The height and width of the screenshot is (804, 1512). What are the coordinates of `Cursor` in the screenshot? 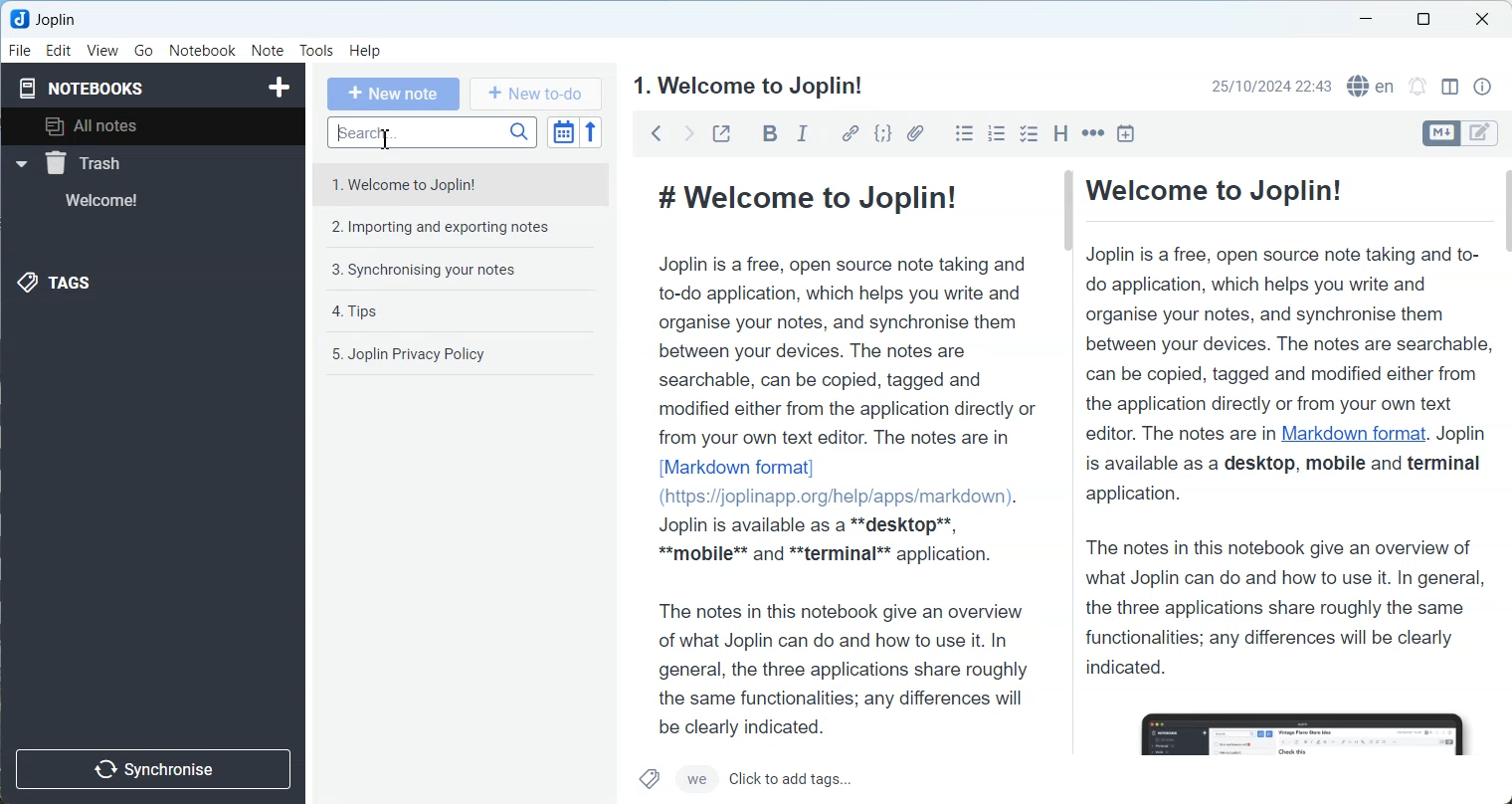 It's located at (386, 140).